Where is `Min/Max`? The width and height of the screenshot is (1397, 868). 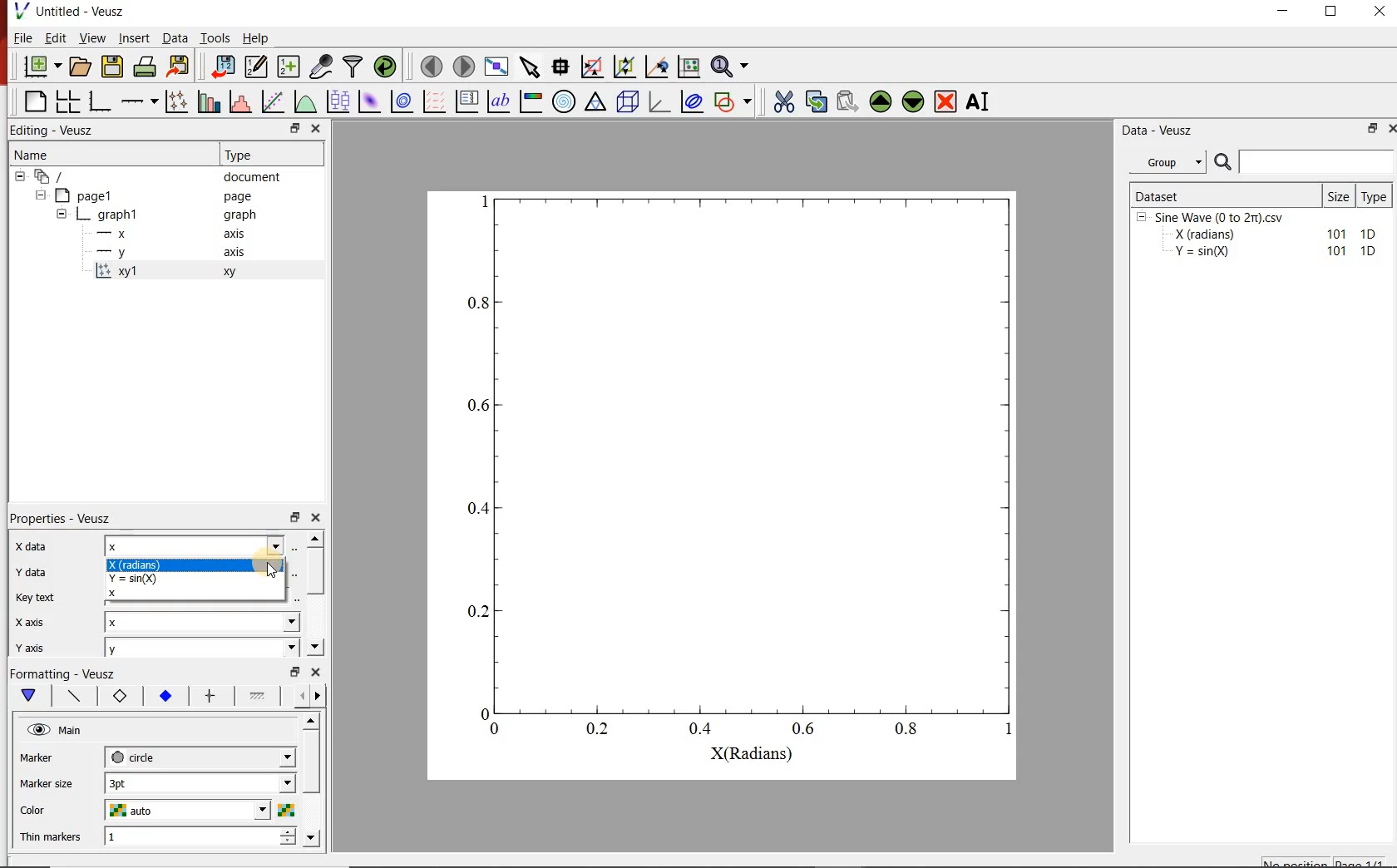
Min/Max is located at coordinates (295, 515).